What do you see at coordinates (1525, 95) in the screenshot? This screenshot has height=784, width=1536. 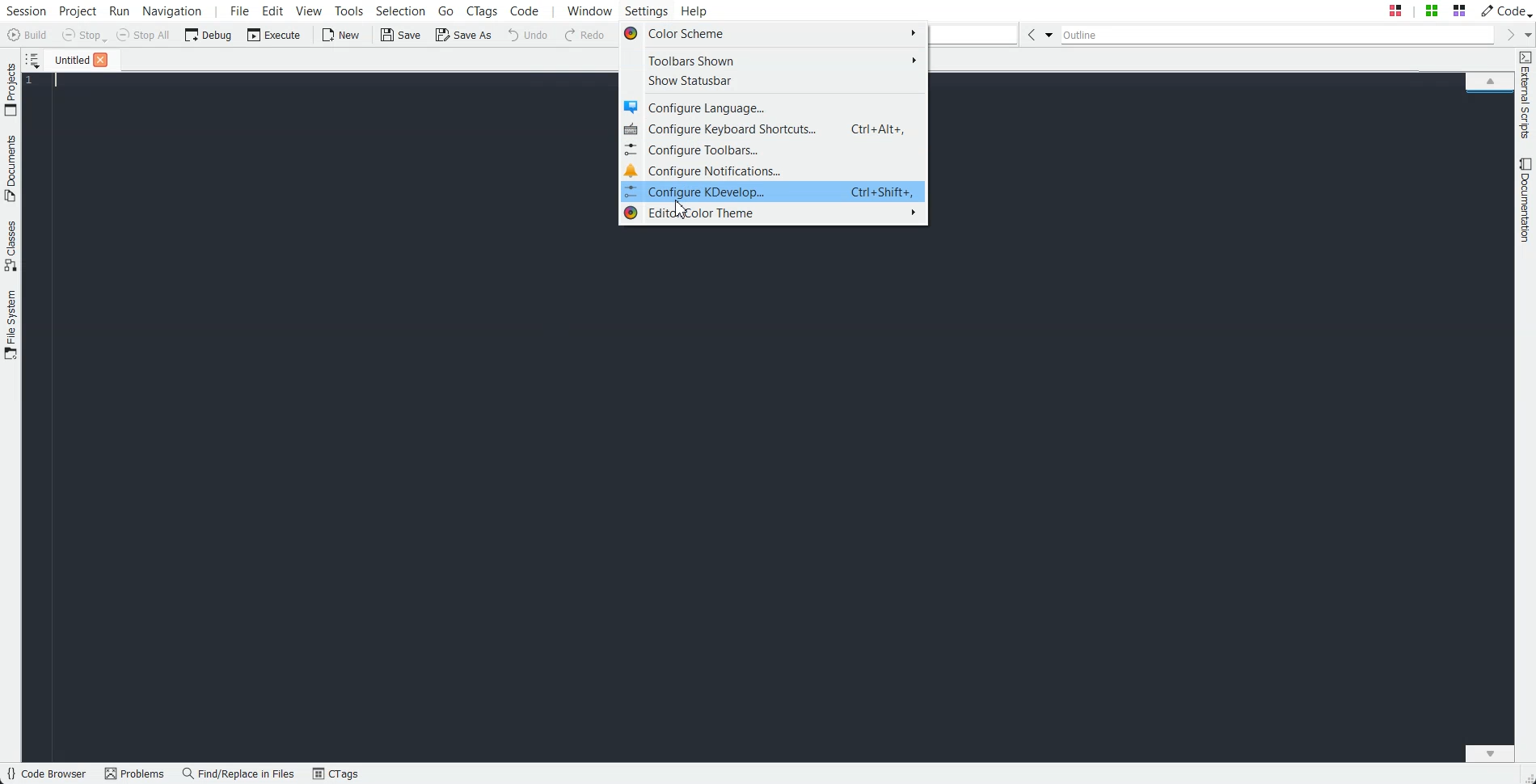 I see `External Scripts` at bounding box center [1525, 95].